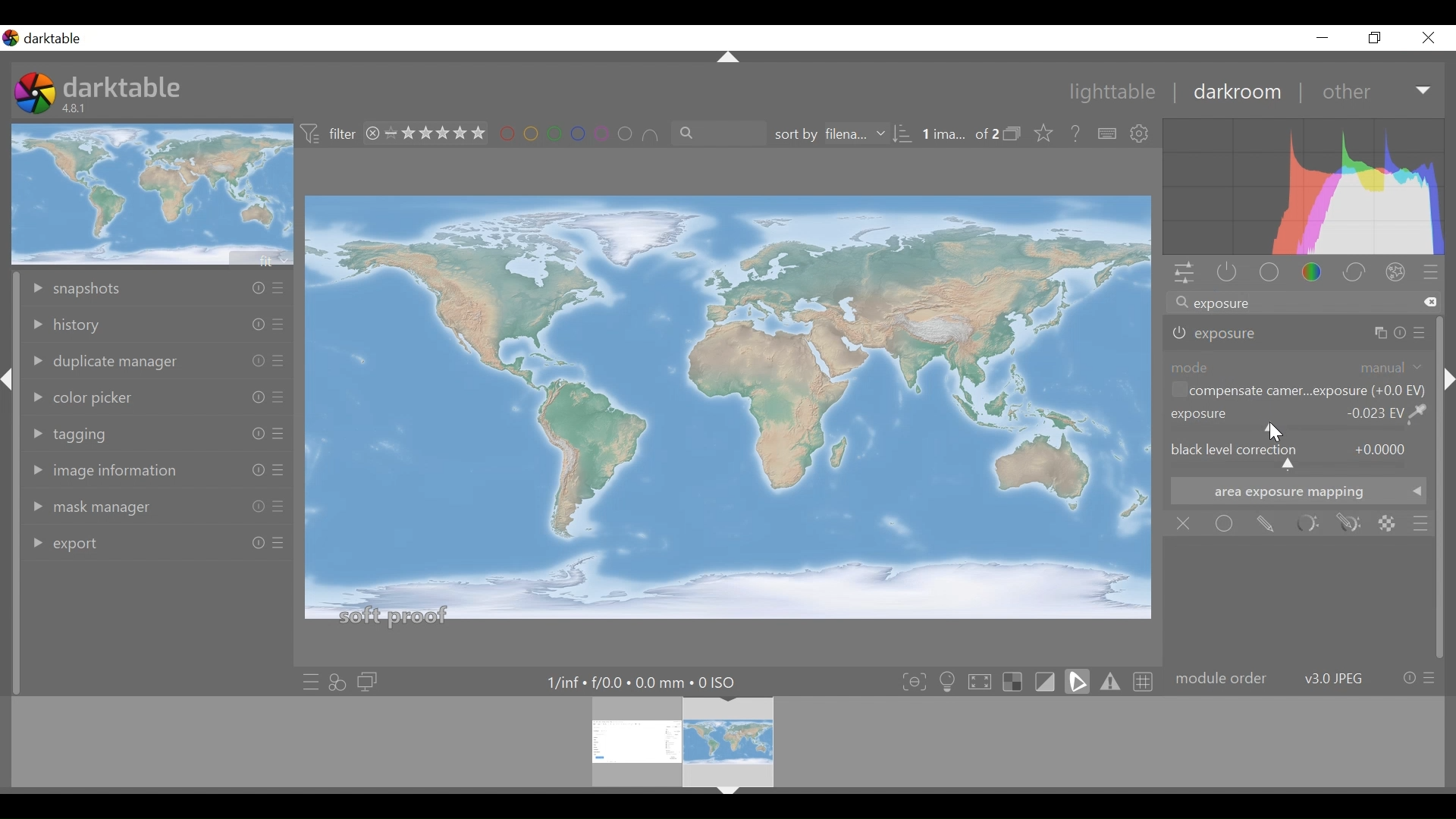 The height and width of the screenshot is (819, 1456). I want to click on , so click(1421, 334).